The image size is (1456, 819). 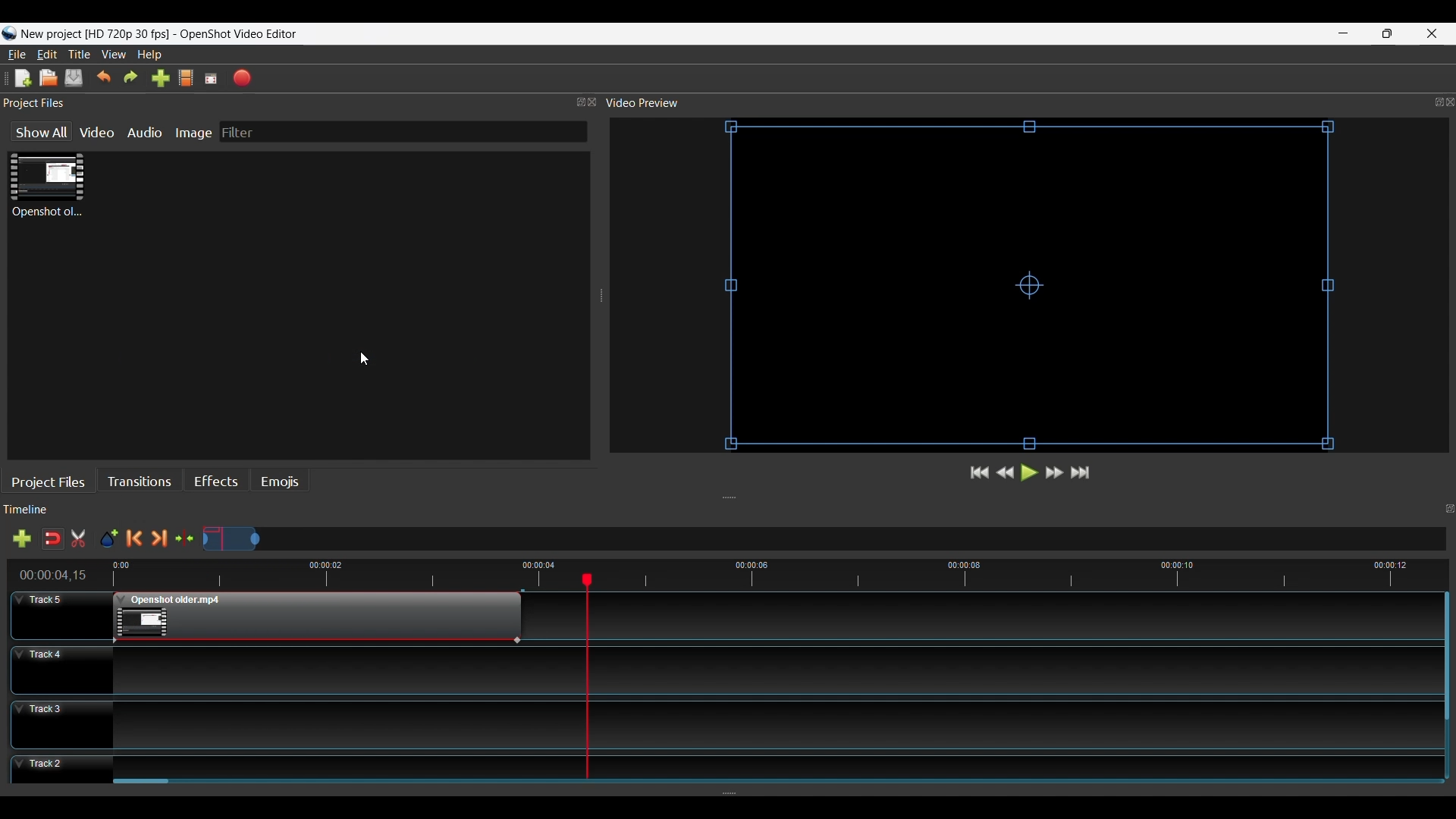 I want to click on Redo, so click(x=131, y=78).